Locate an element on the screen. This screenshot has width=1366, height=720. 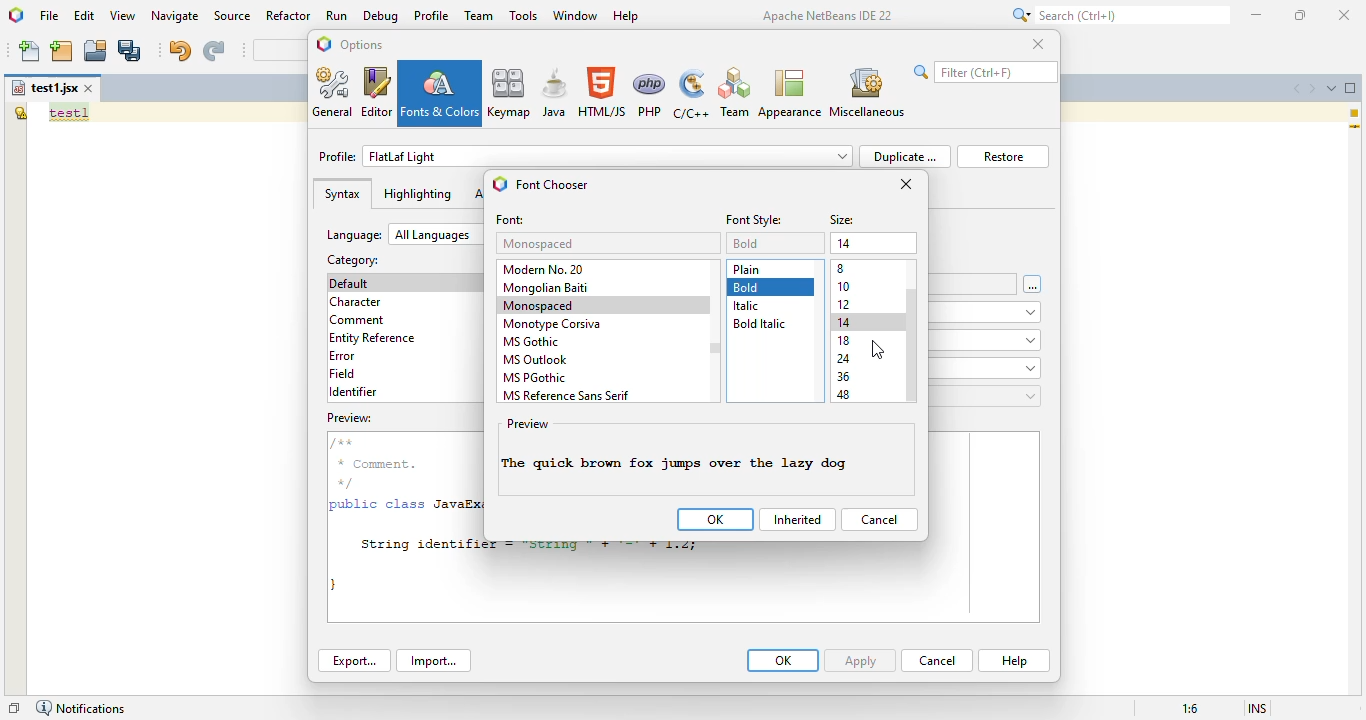
java is located at coordinates (554, 93).